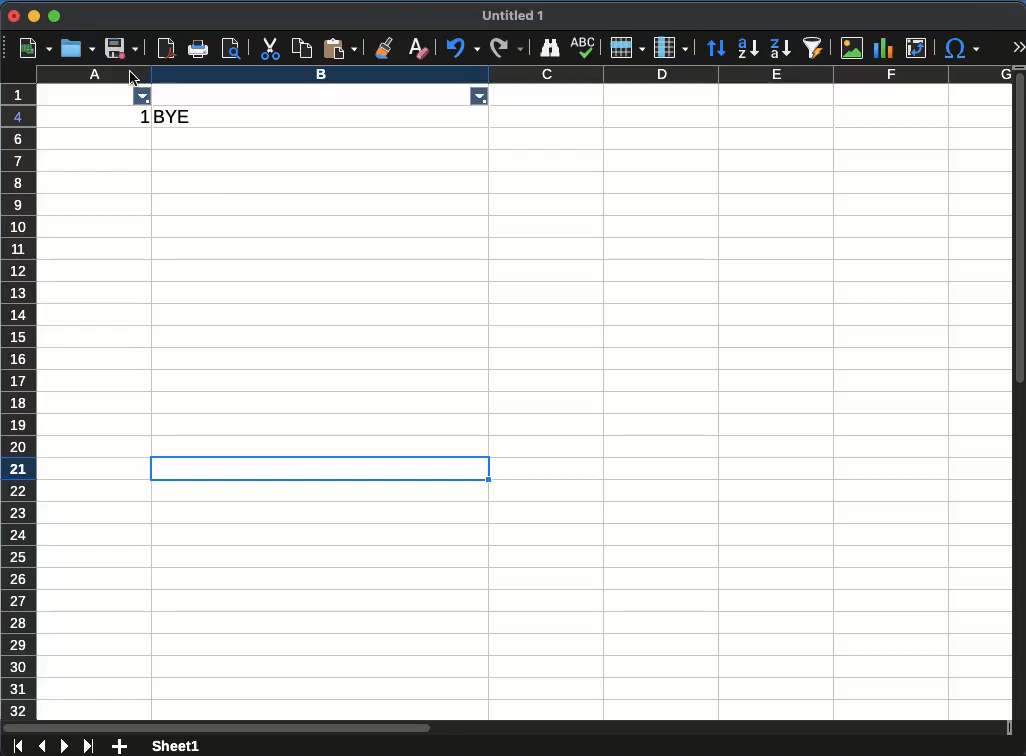 Image resolution: width=1026 pixels, height=756 pixels. I want to click on sheet 1, so click(176, 745).